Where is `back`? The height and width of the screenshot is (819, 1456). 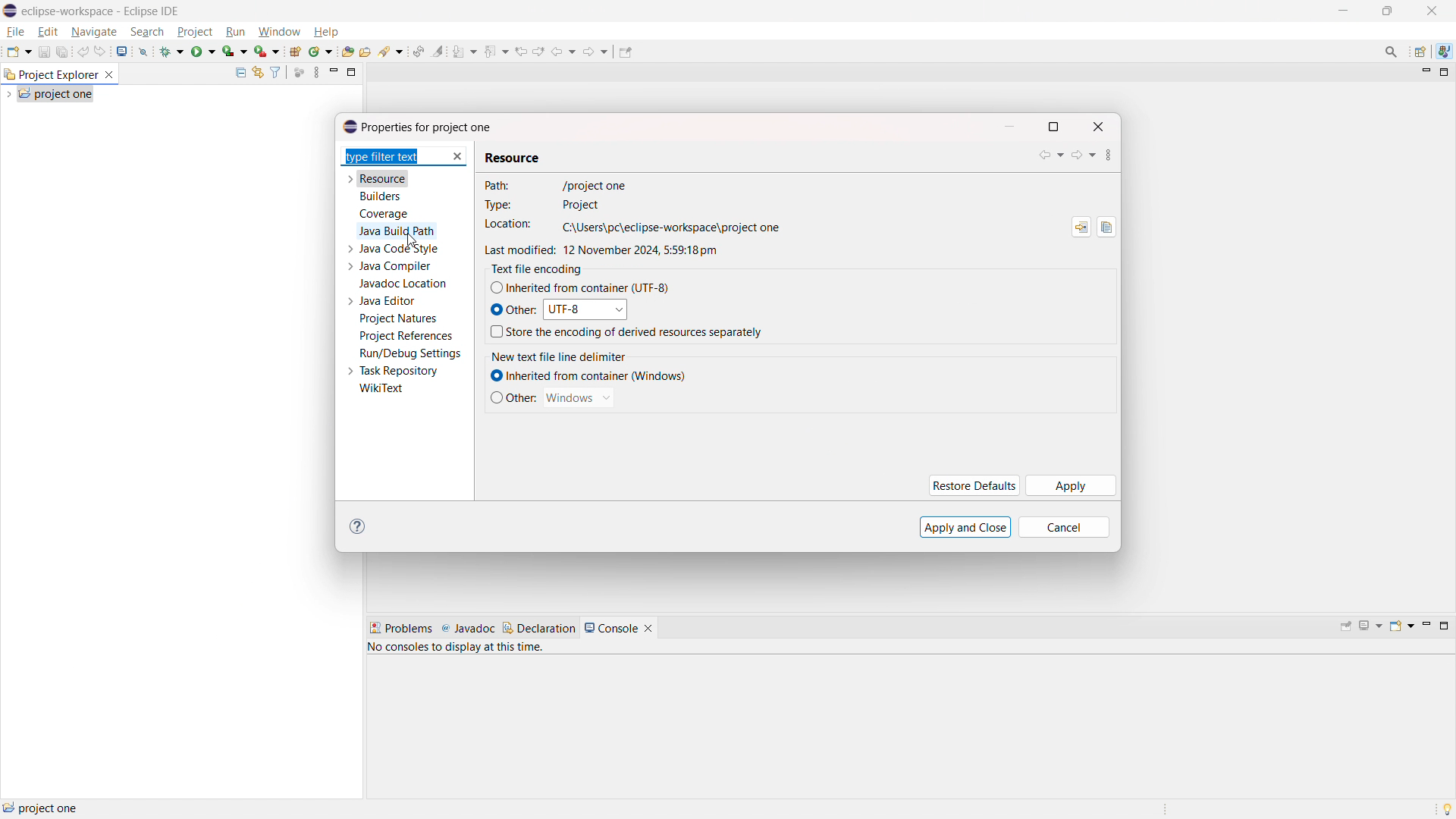 back is located at coordinates (563, 50).